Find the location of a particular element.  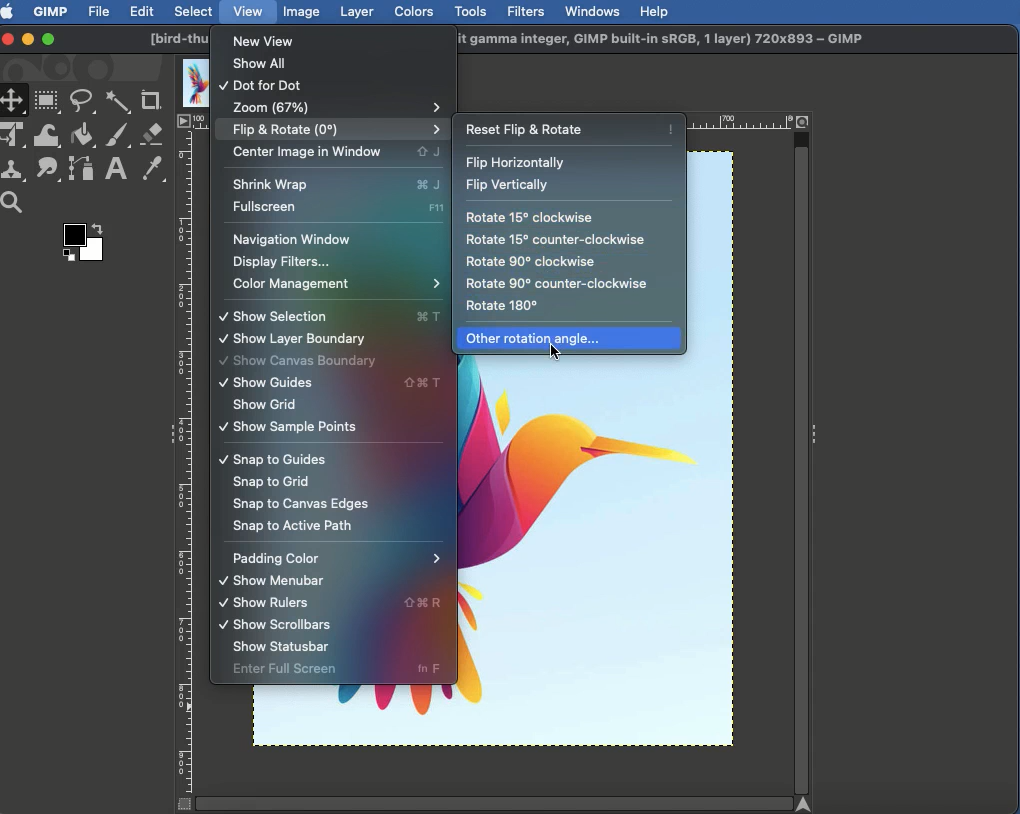

Color is located at coordinates (81, 246).